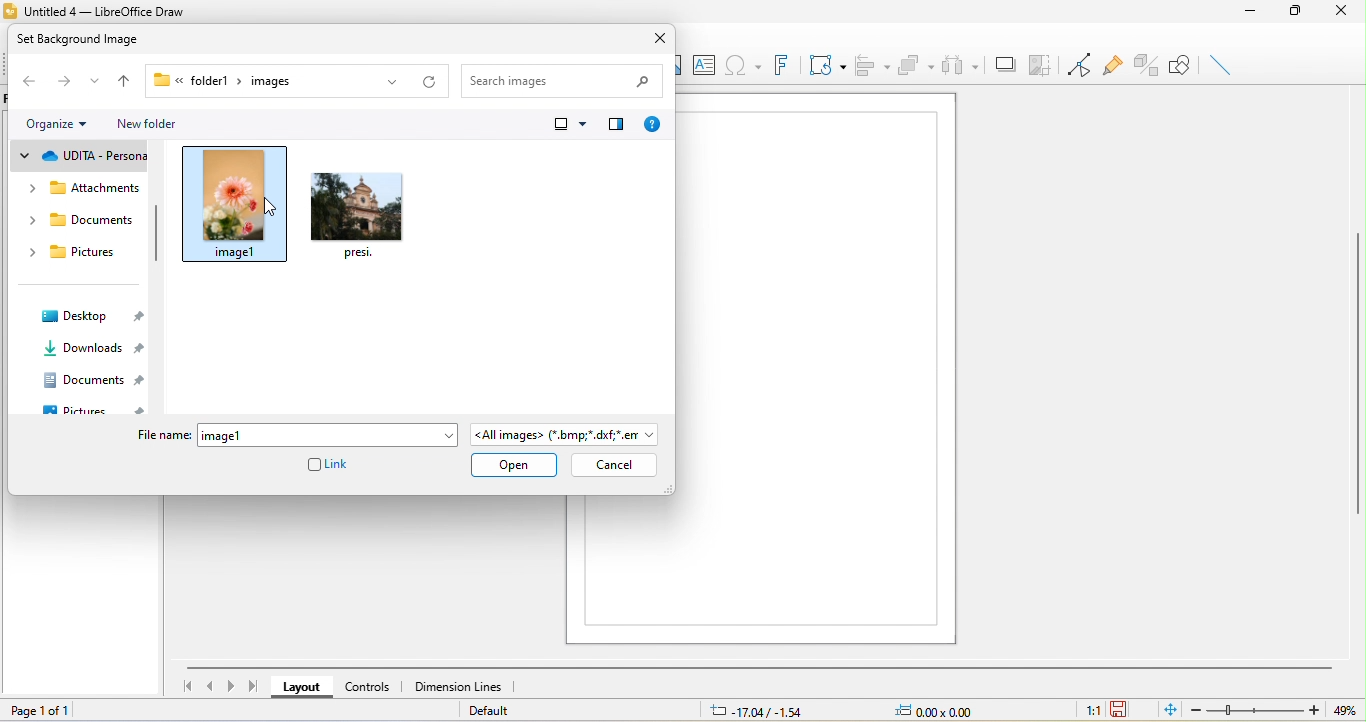 The height and width of the screenshot is (722, 1366). What do you see at coordinates (656, 39) in the screenshot?
I see `close` at bounding box center [656, 39].